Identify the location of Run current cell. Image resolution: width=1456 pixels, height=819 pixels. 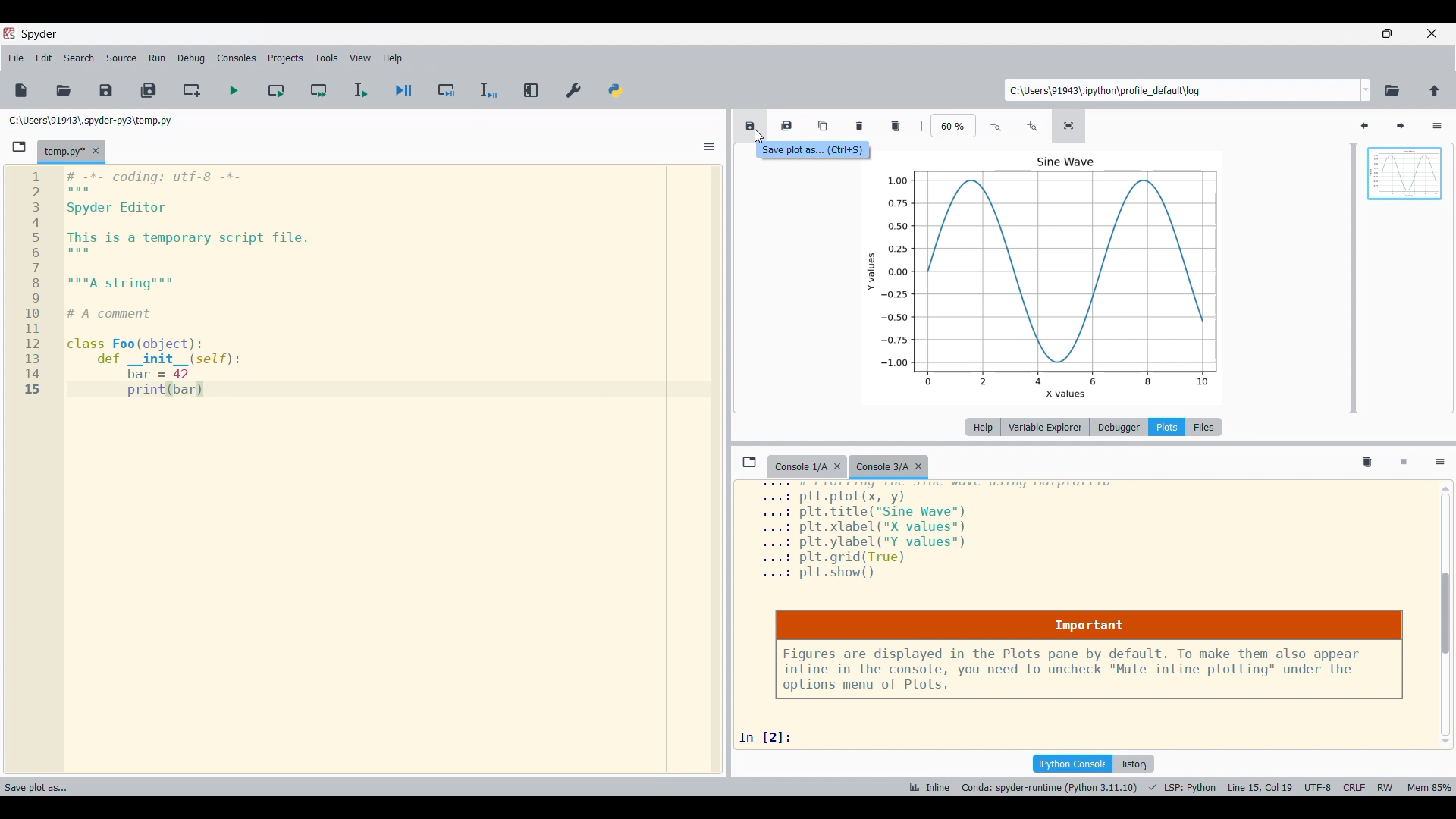
(276, 90).